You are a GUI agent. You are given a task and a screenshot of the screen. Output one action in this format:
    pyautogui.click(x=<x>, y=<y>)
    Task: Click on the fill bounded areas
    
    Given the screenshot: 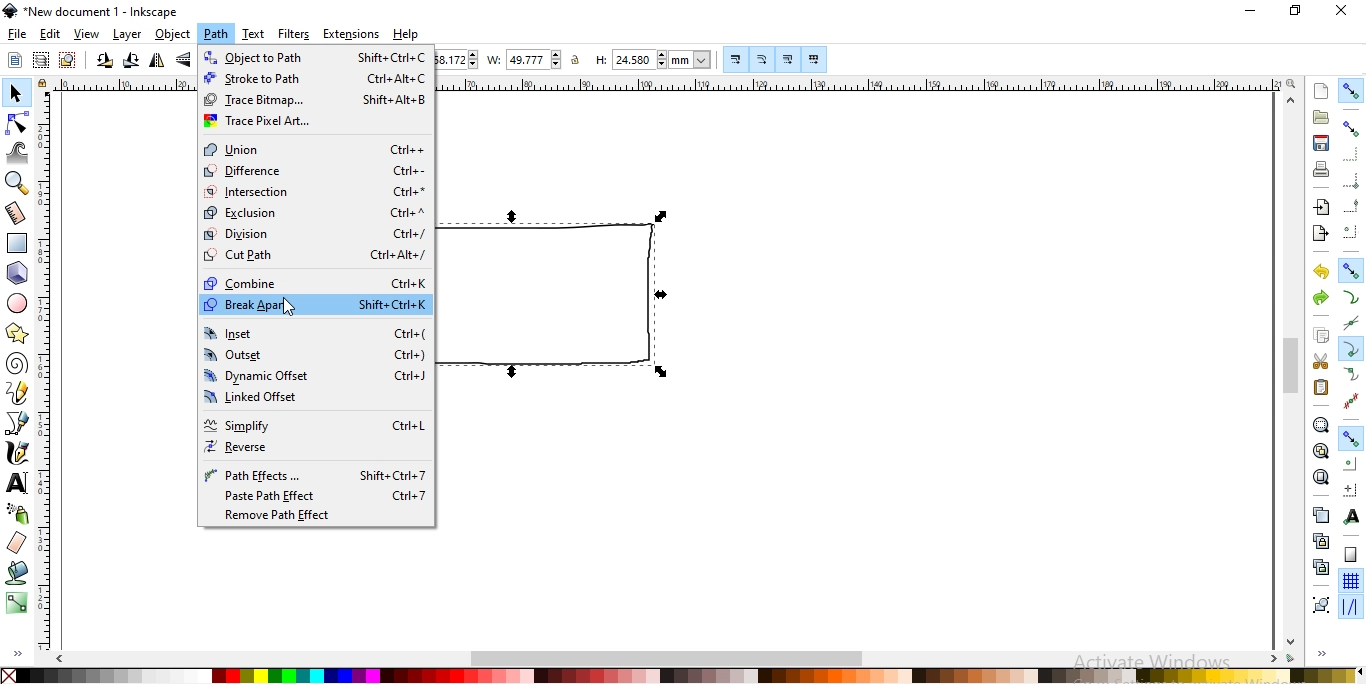 What is the action you would take?
    pyautogui.click(x=21, y=572)
    